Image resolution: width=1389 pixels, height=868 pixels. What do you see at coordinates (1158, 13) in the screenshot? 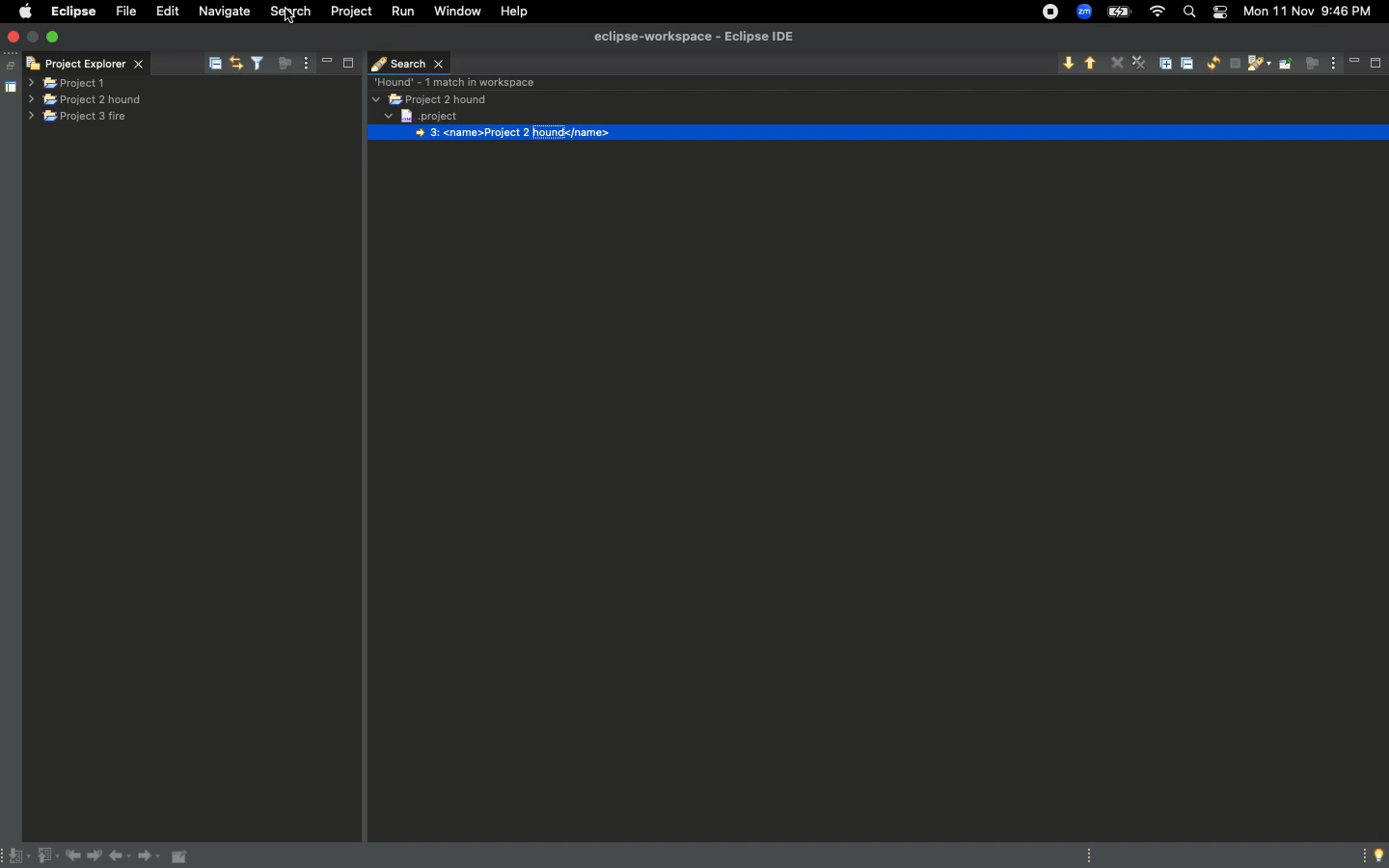
I see `Internet` at bounding box center [1158, 13].